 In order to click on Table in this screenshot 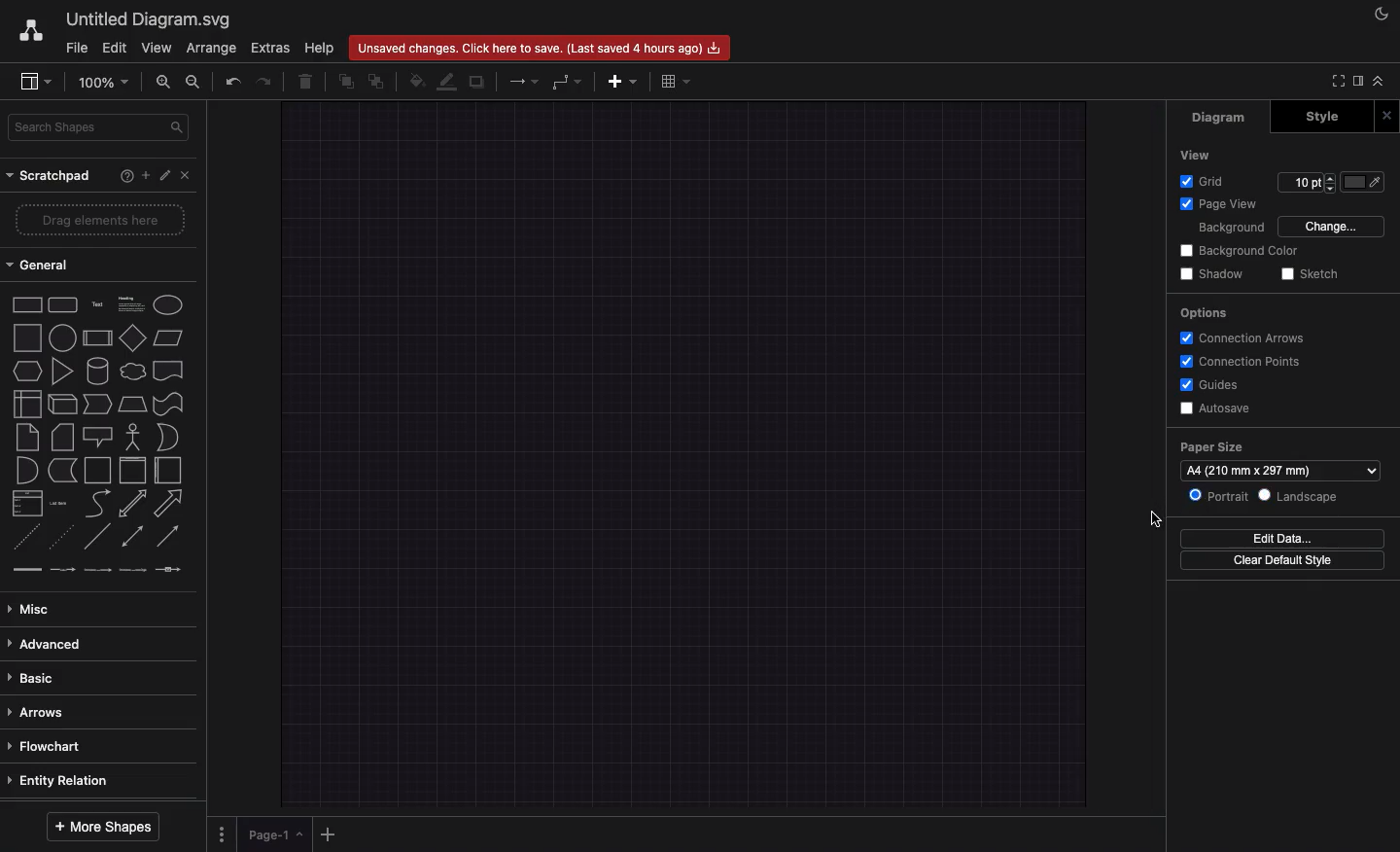, I will do `click(677, 84)`.